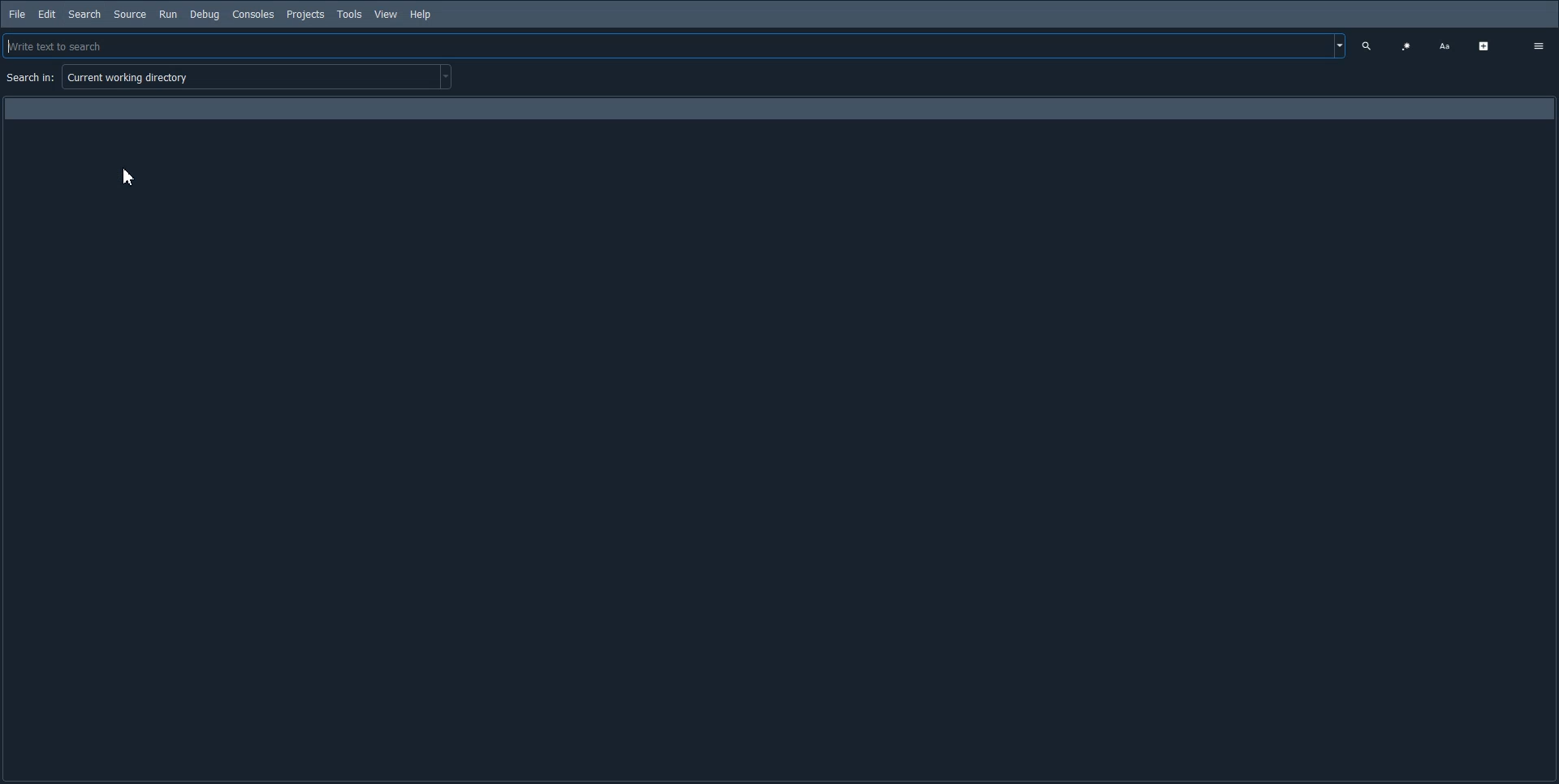  What do you see at coordinates (253, 14) in the screenshot?
I see `Consoles` at bounding box center [253, 14].